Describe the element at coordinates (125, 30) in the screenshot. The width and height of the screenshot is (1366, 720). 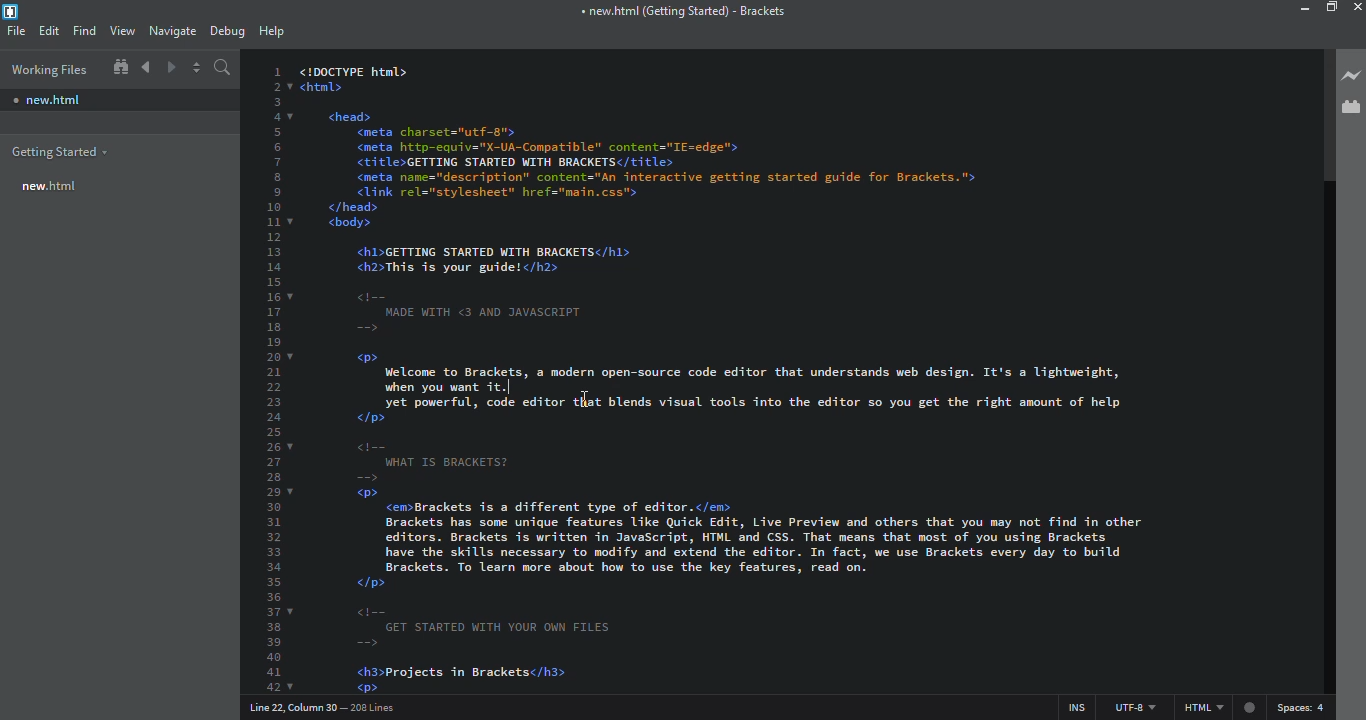
I see `view` at that location.